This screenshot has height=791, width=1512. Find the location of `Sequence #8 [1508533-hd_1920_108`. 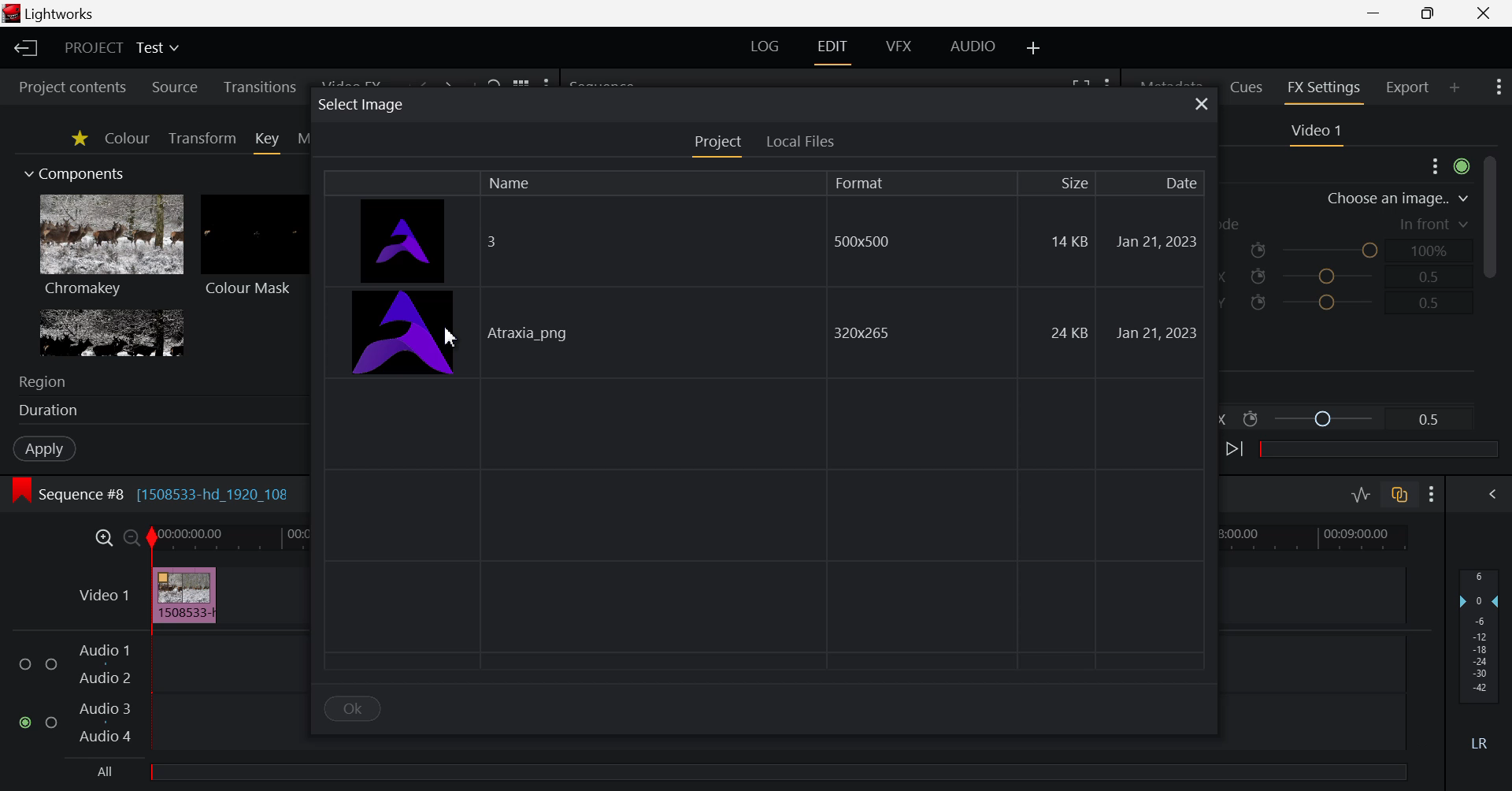

Sequence #8 [1508533-hd_1920_108 is located at coordinates (156, 495).